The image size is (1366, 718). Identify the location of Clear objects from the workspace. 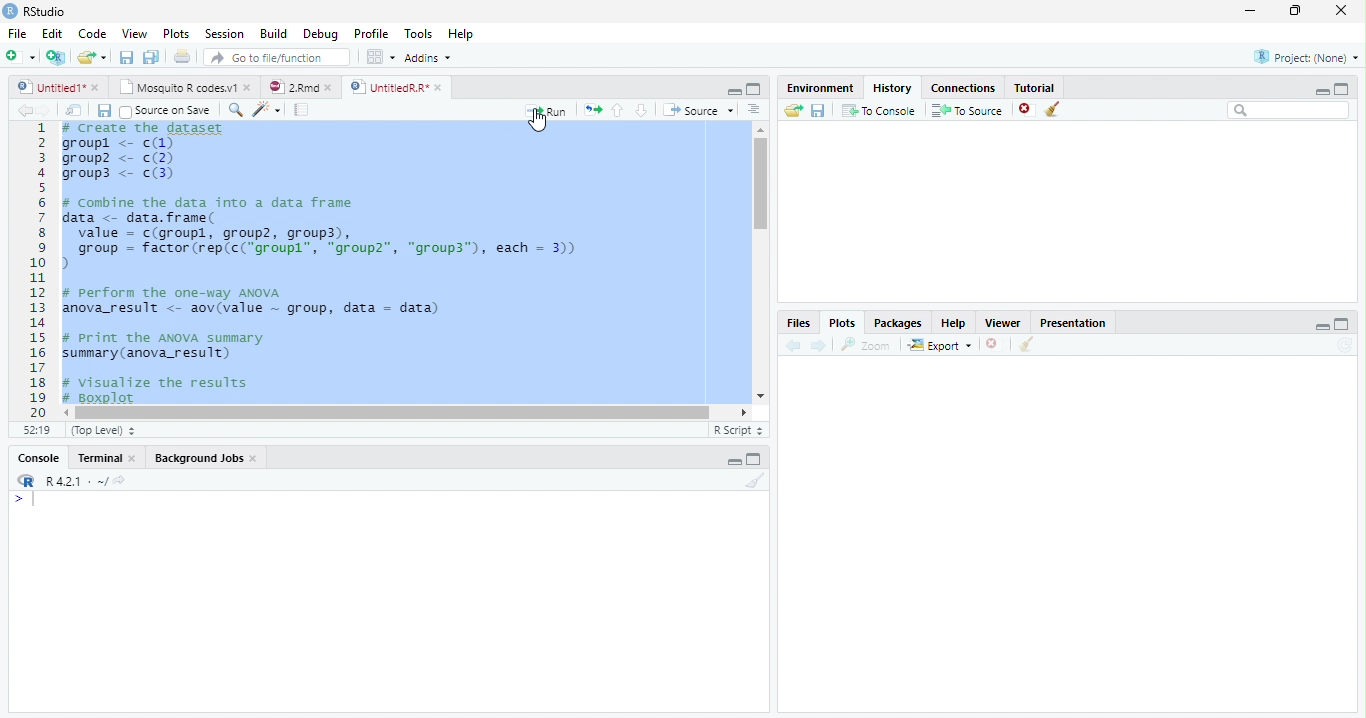
(1051, 106).